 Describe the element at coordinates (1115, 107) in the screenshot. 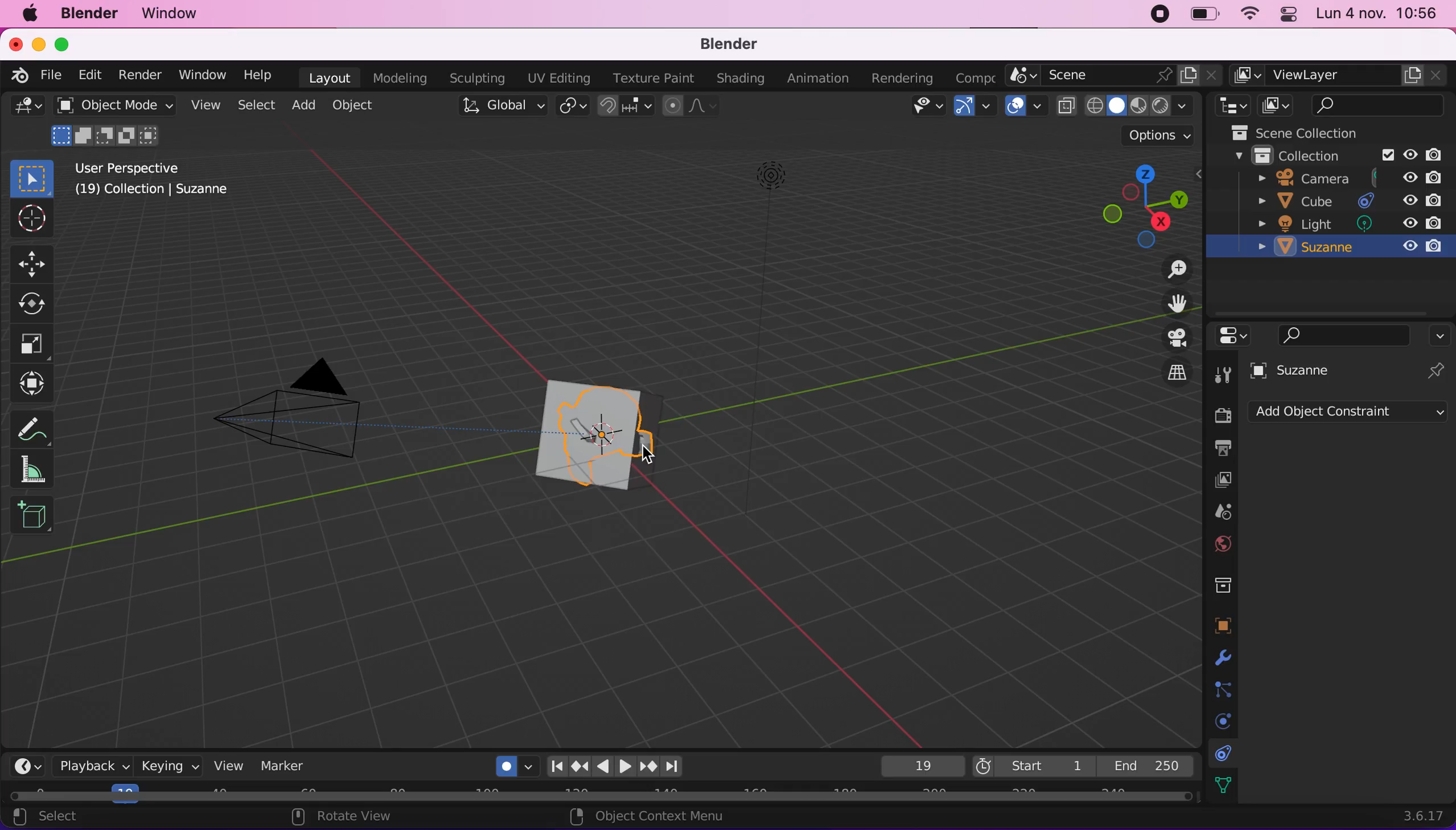

I see `solid display` at that location.